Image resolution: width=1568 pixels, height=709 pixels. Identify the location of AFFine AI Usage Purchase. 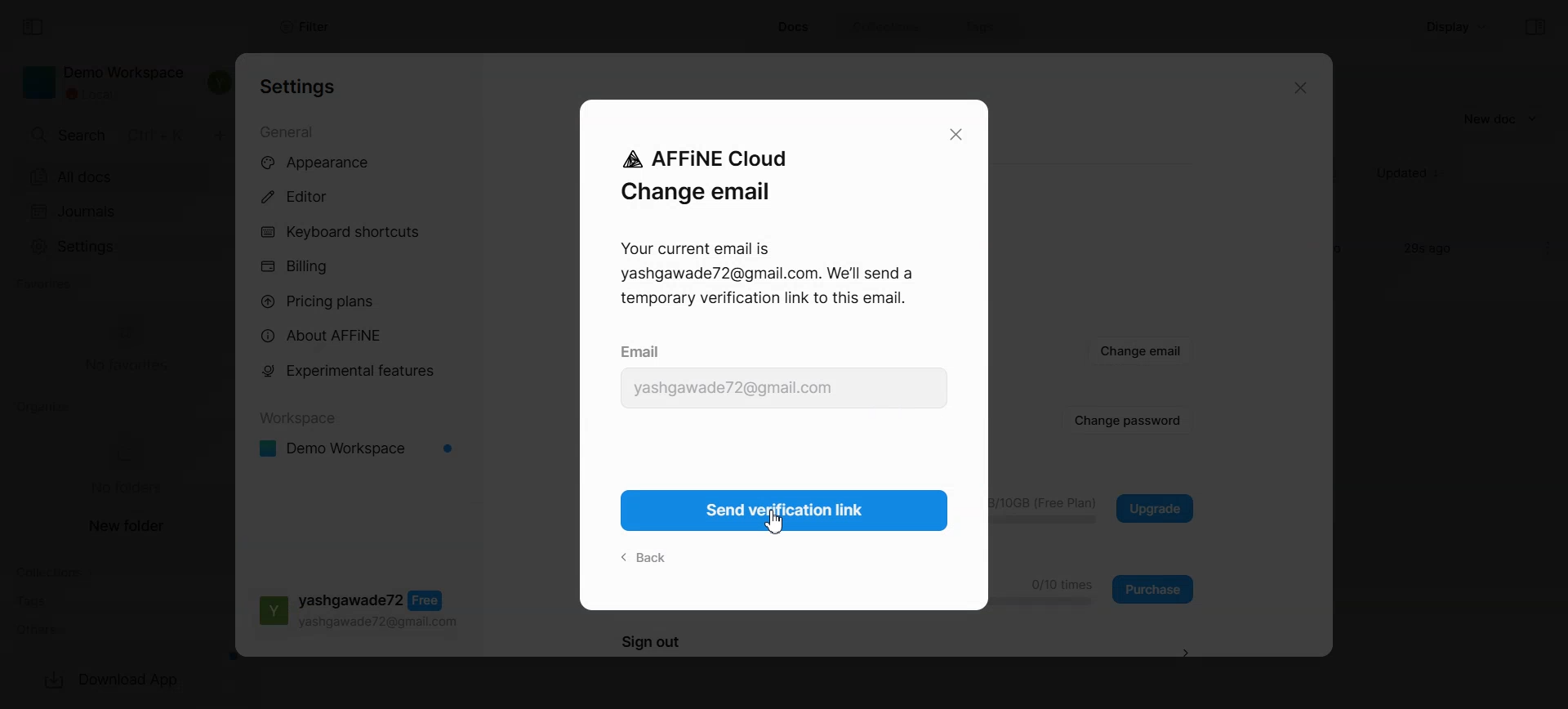
(1155, 588).